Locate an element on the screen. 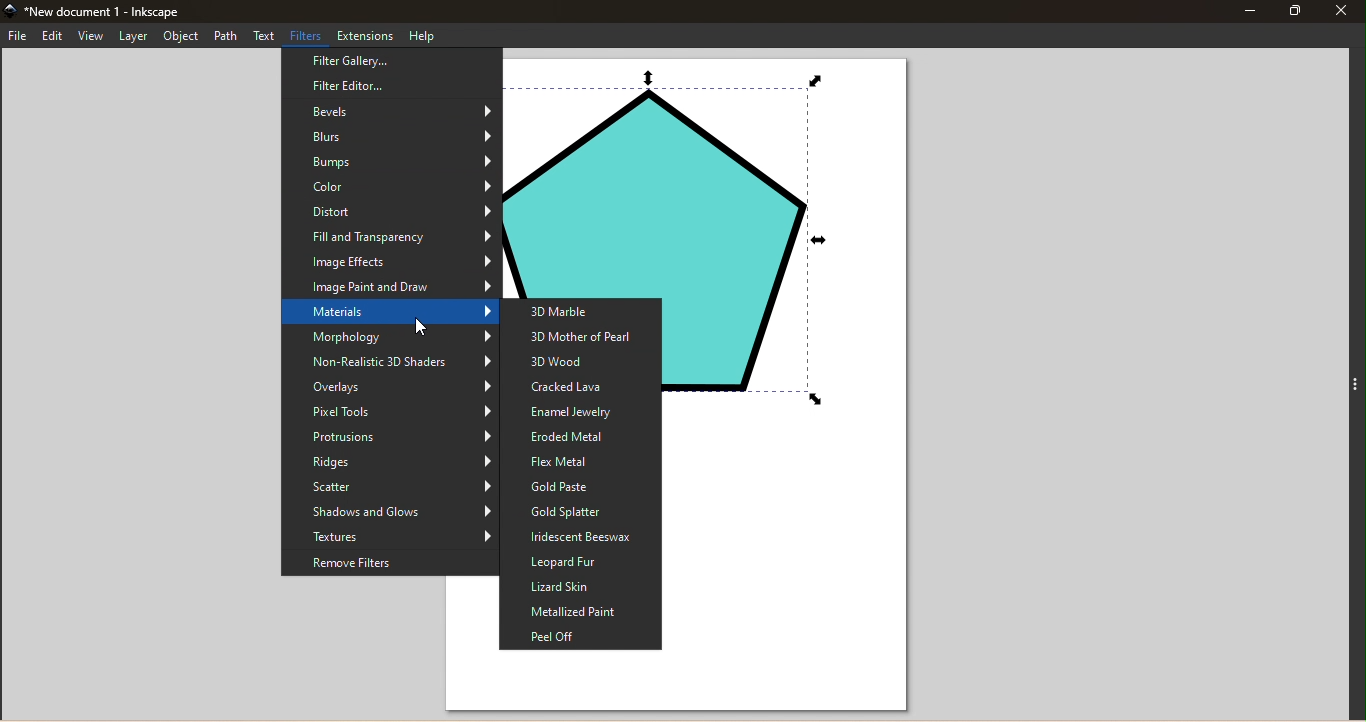  Protrusions is located at coordinates (387, 437).